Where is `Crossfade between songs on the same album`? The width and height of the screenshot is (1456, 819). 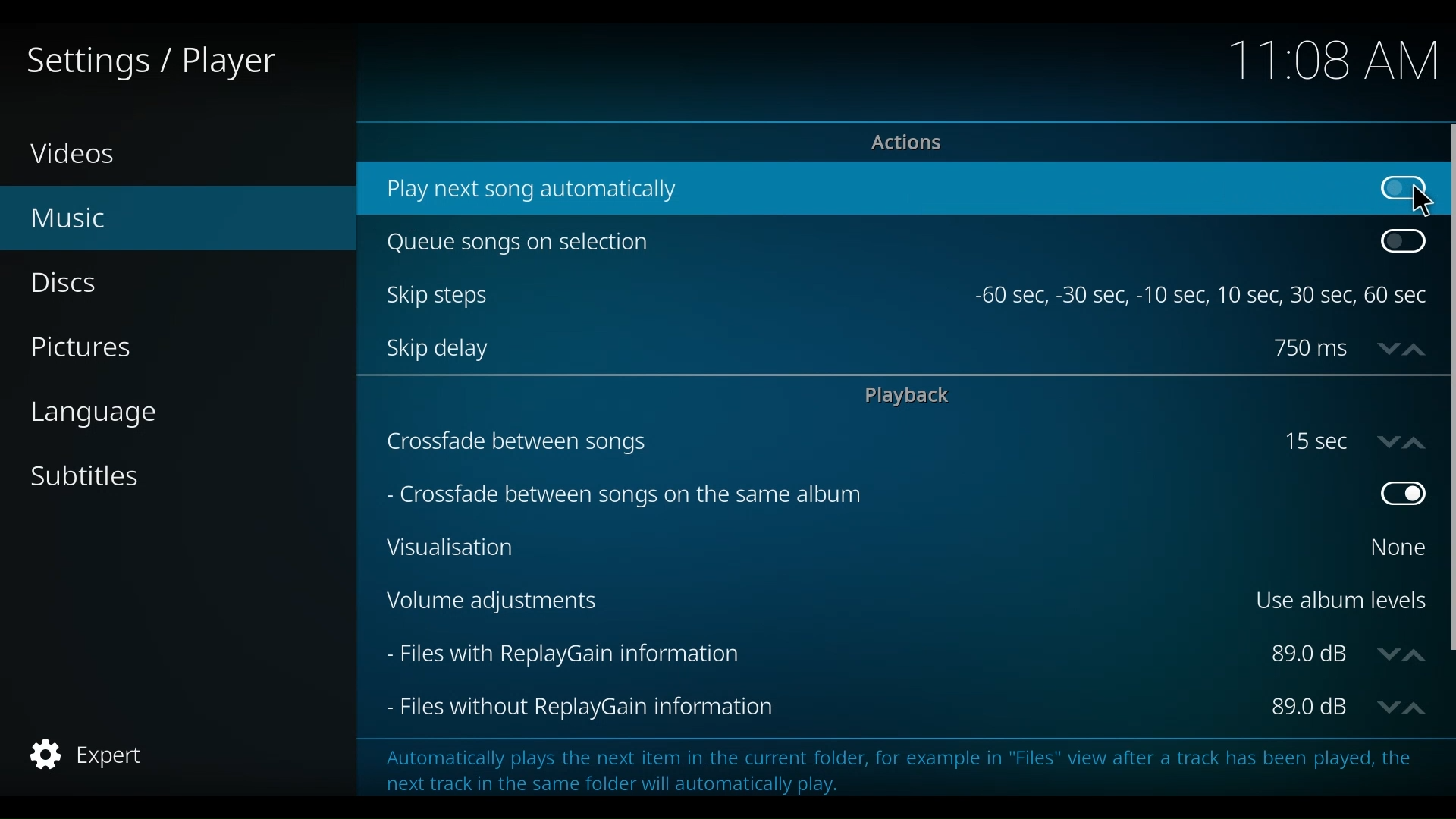
Crossfade between songs on the same album is located at coordinates (849, 492).